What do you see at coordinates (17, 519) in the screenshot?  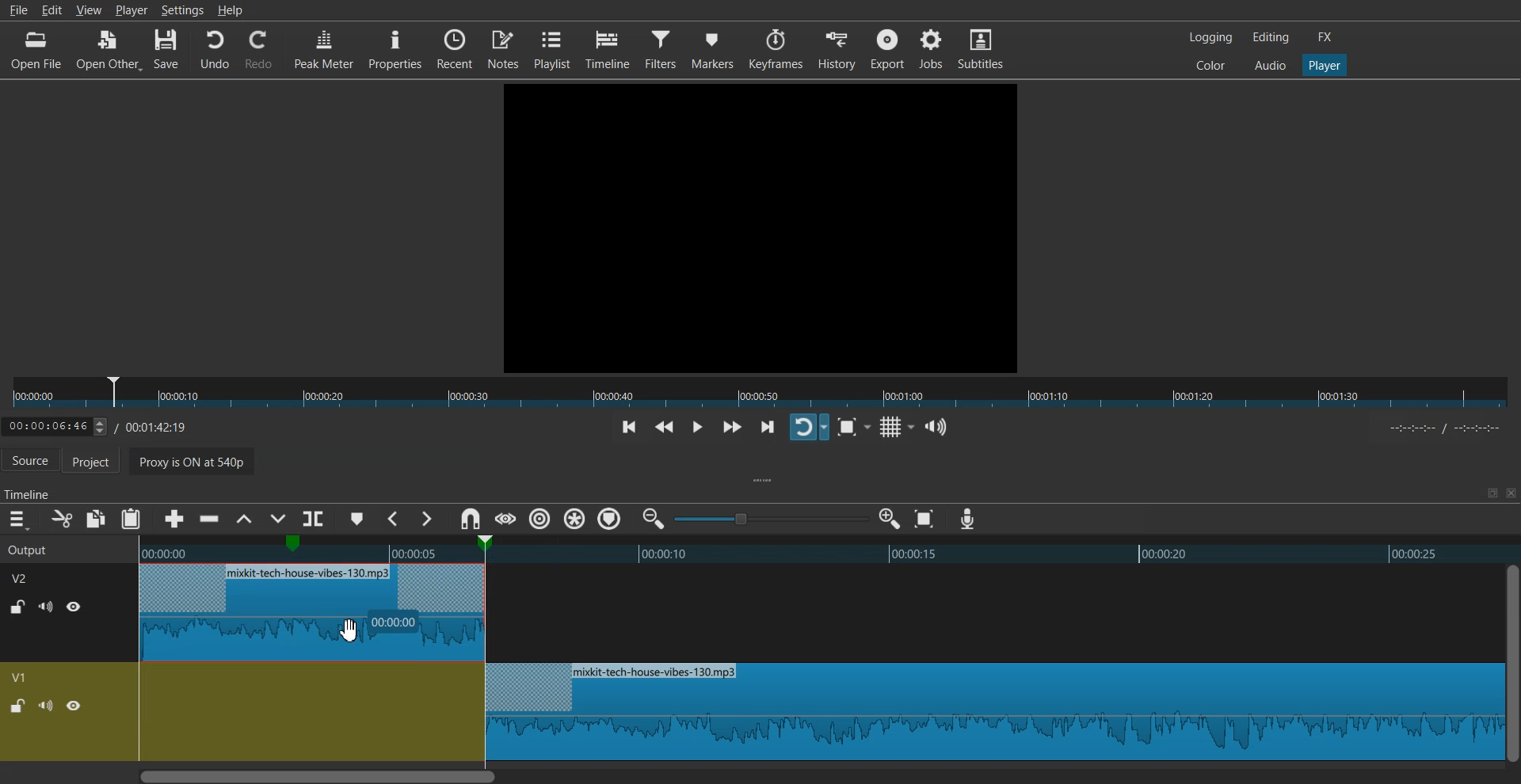 I see `Hamburger menu` at bounding box center [17, 519].